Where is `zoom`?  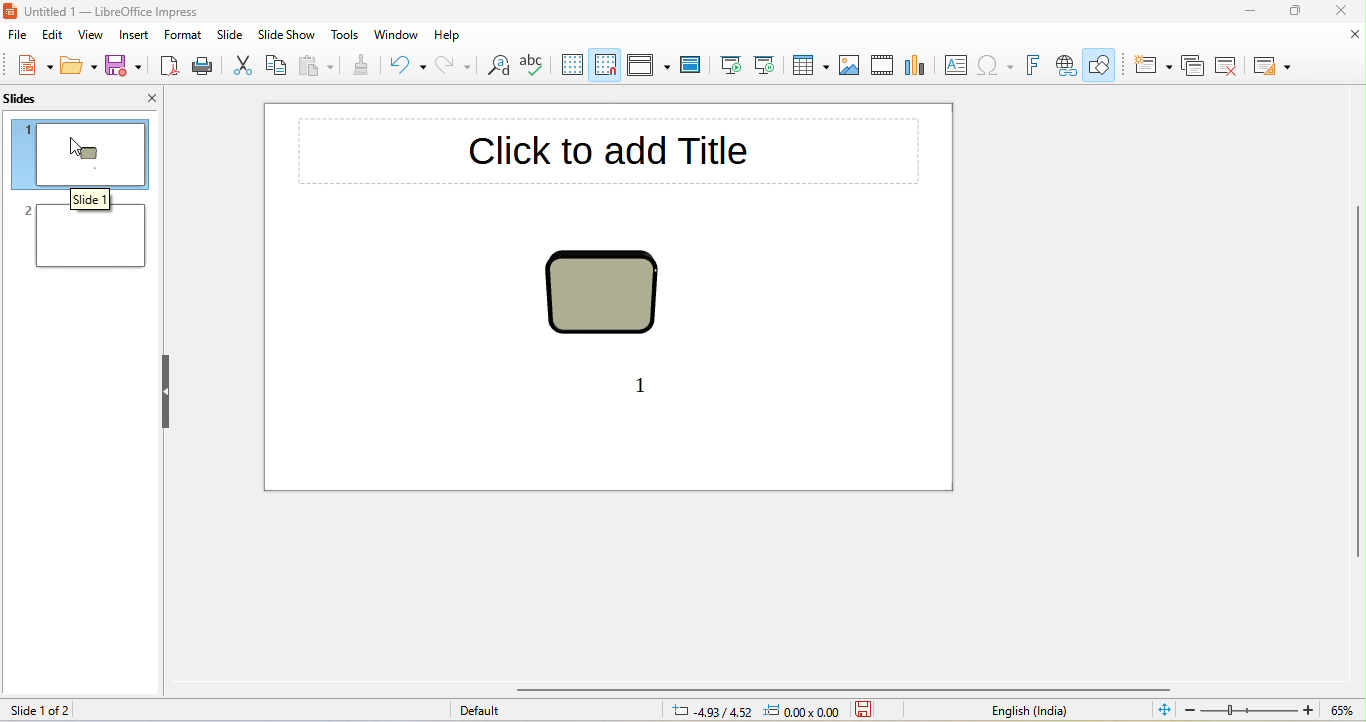
zoom is located at coordinates (1269, 711).